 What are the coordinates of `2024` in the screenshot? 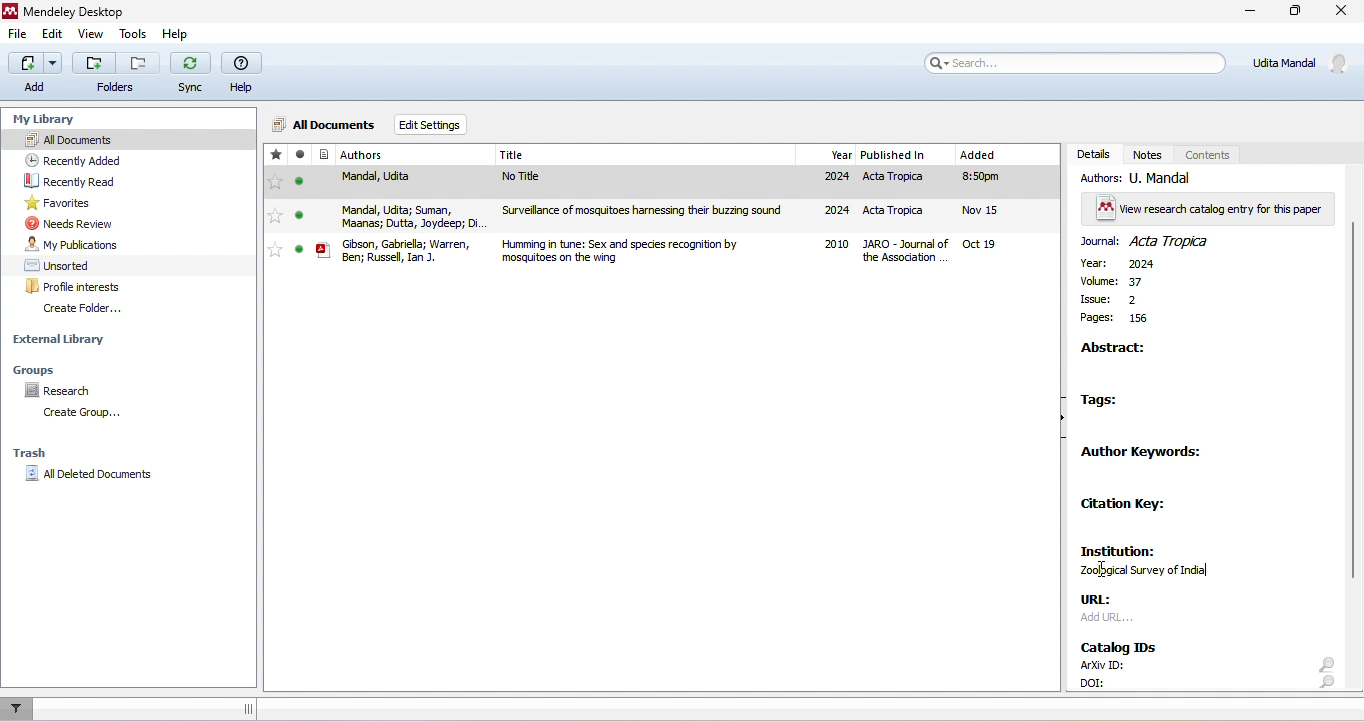 It's located at (835, 178).